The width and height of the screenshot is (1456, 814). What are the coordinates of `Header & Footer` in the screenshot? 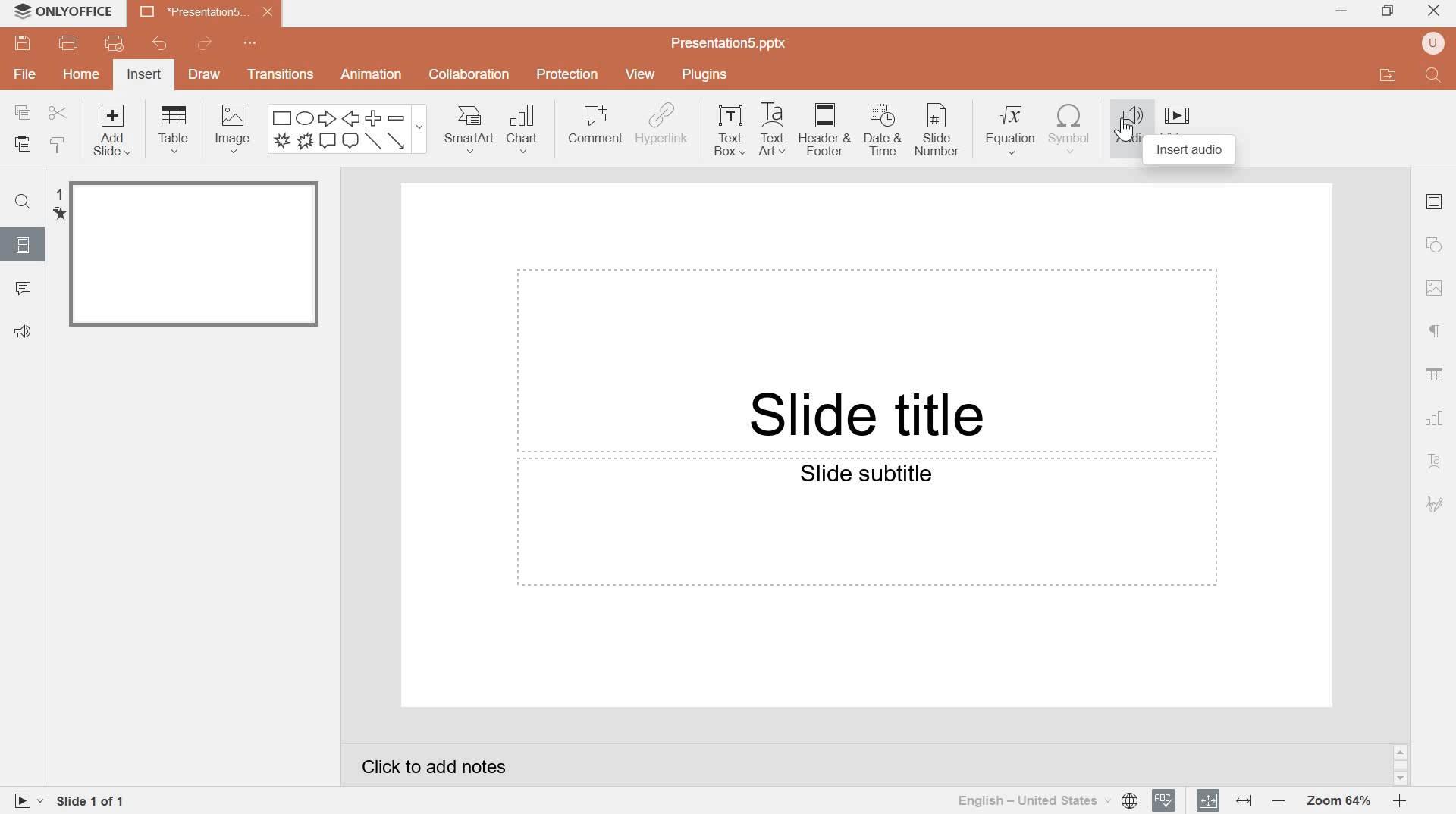 It's located at (827, 130).